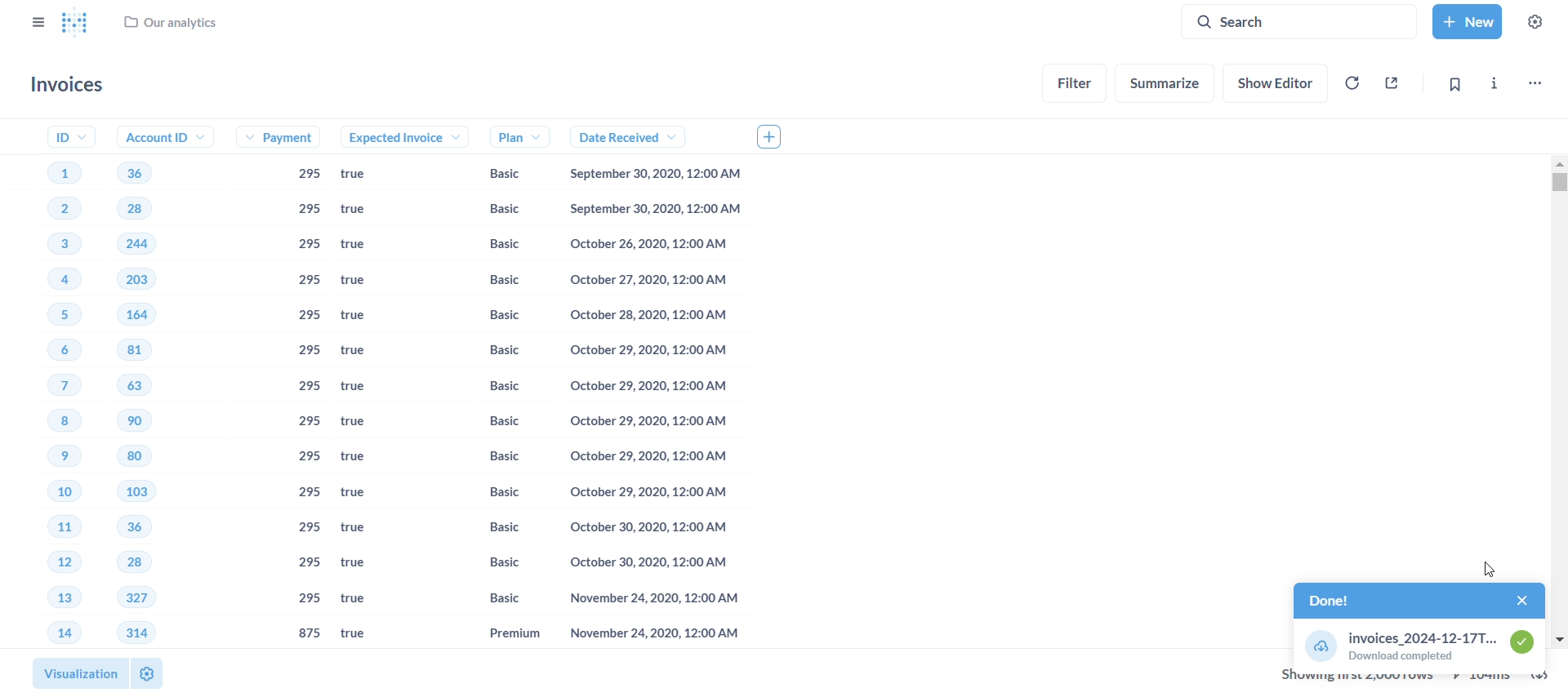  Describe the element at coordinates (305, 352) in the screenshot. I see `295` at that location.